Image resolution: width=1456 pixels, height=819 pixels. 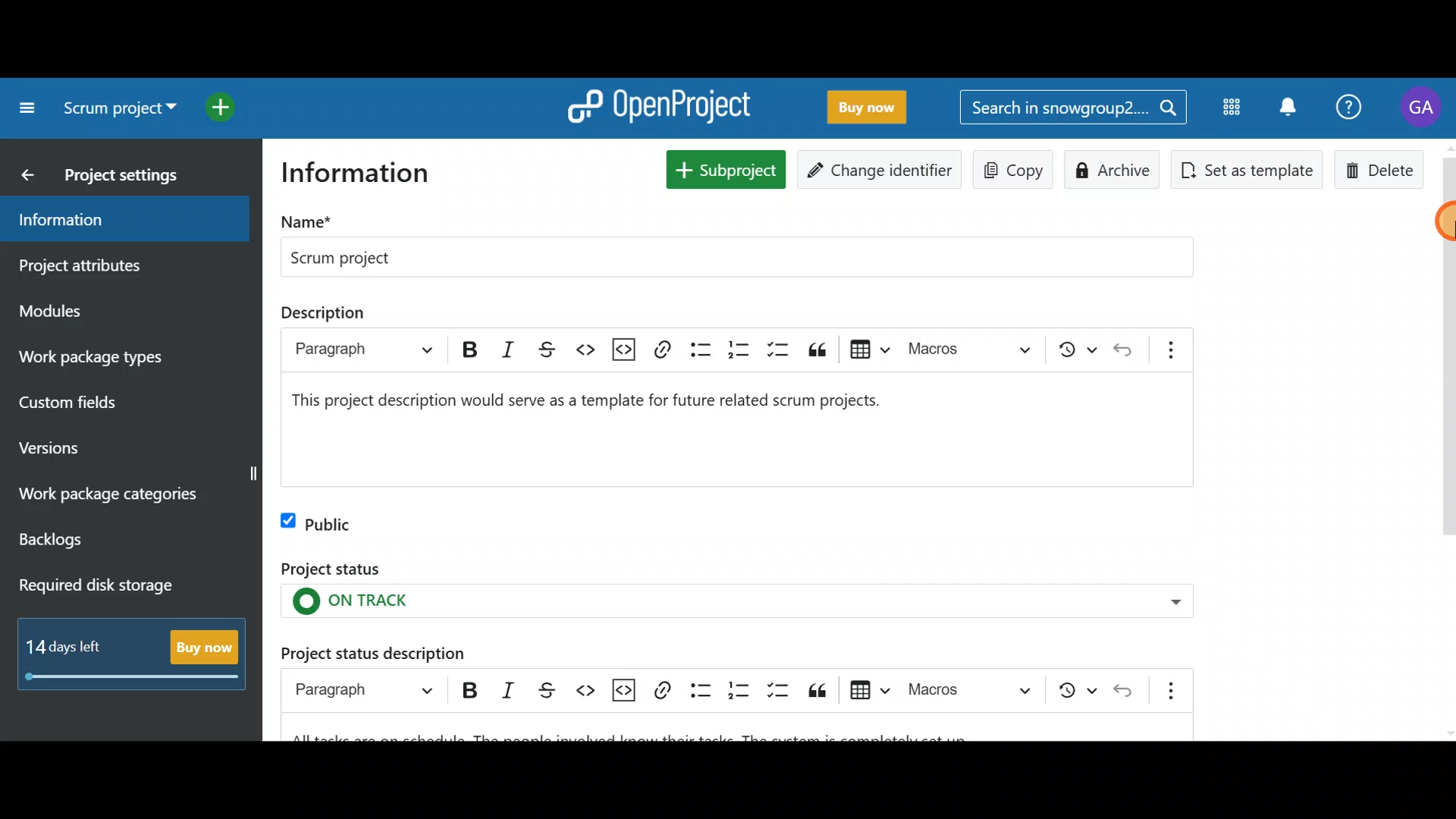 What do you see at coordinates (1069, 690) in the screenshot?
I see `Show local modifications` at bounding box center [1069, 690].